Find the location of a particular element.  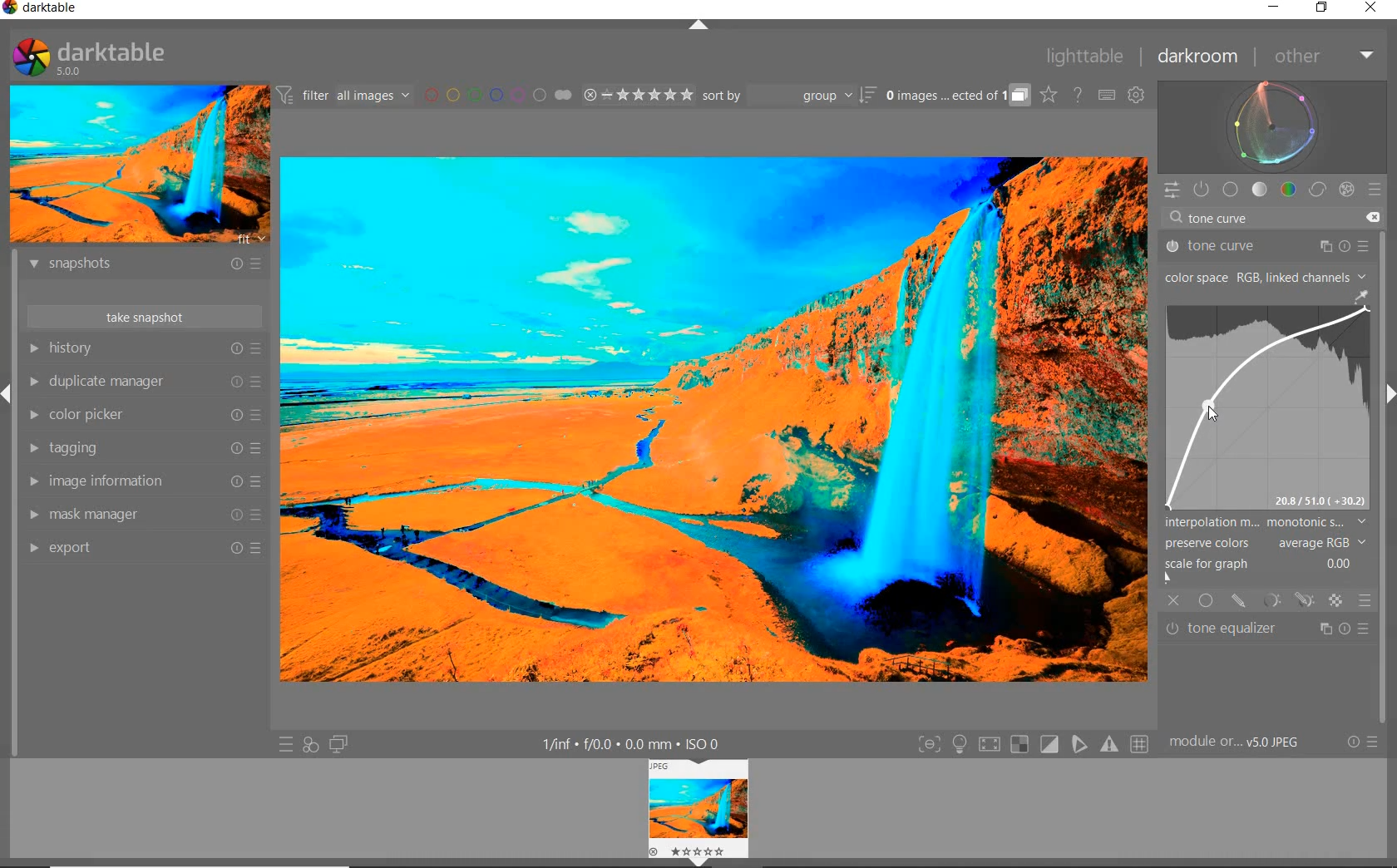

TOGGLE MODES is located at coordinates (1032, 745).